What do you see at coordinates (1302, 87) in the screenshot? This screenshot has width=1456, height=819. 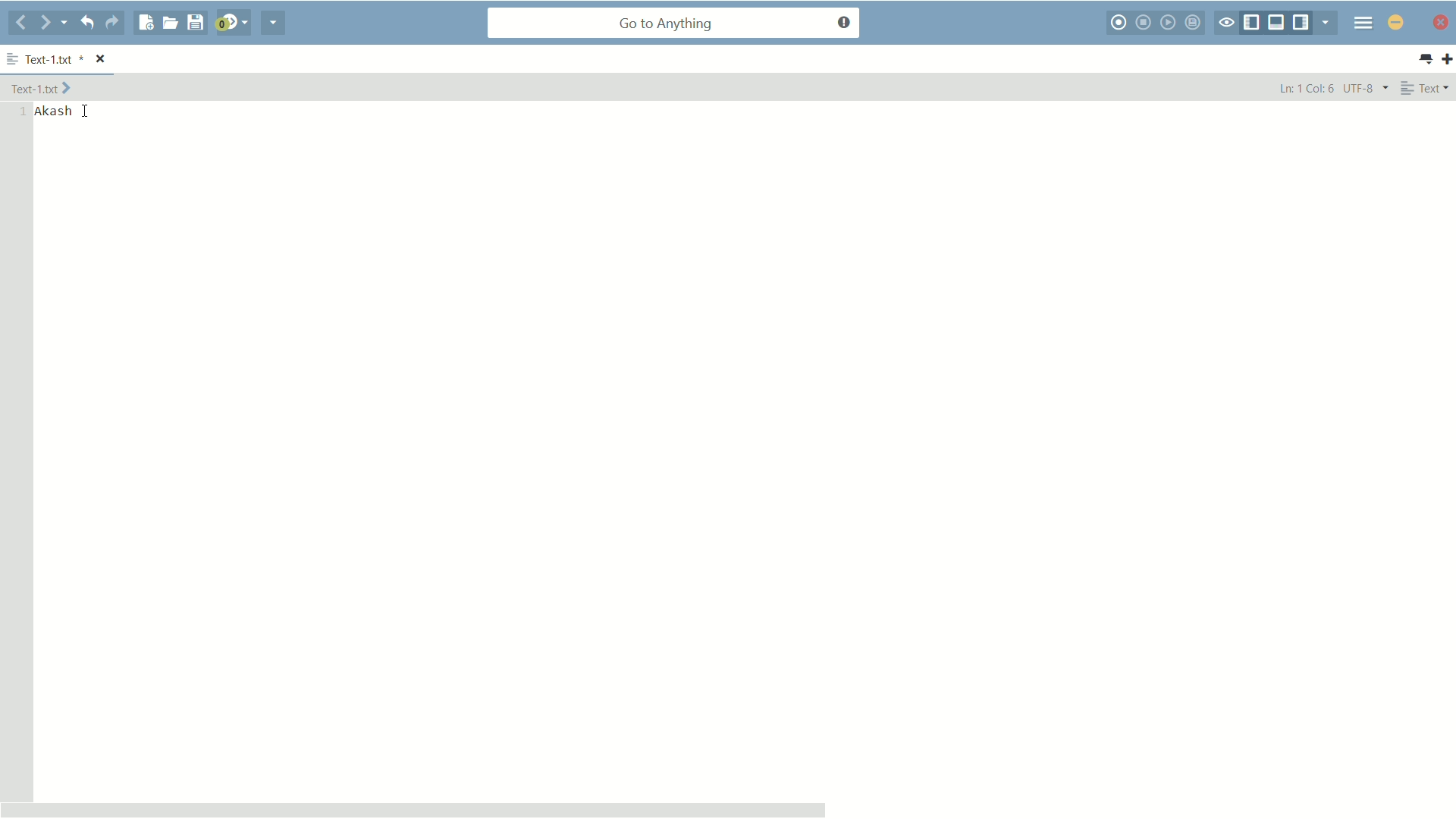 I see `Line: 1 Column: 6` at bounding box center [1302, 87].